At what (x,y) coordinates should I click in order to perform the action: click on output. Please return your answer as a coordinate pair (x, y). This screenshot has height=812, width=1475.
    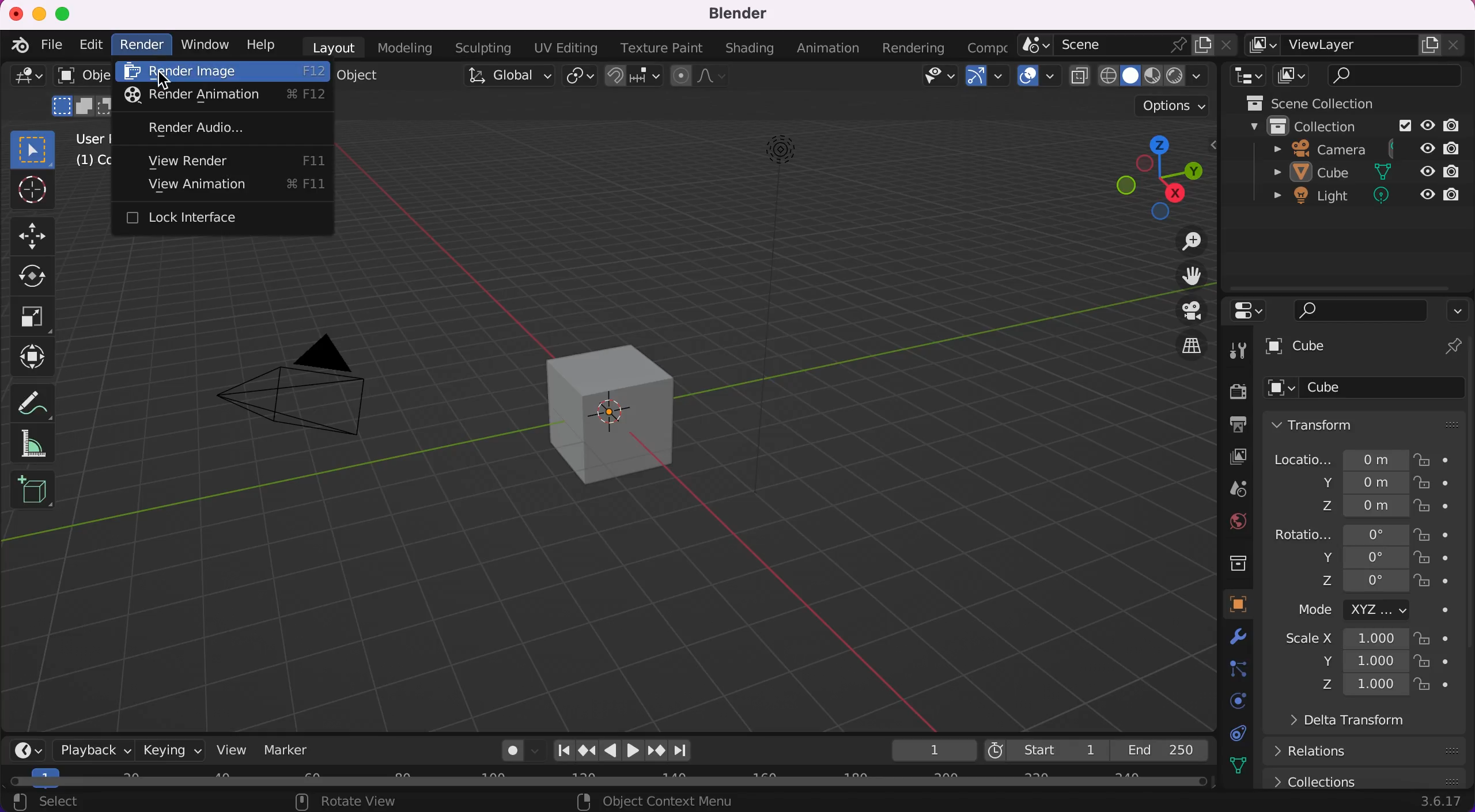
    Looking at the image, I should click on (1228, 424).